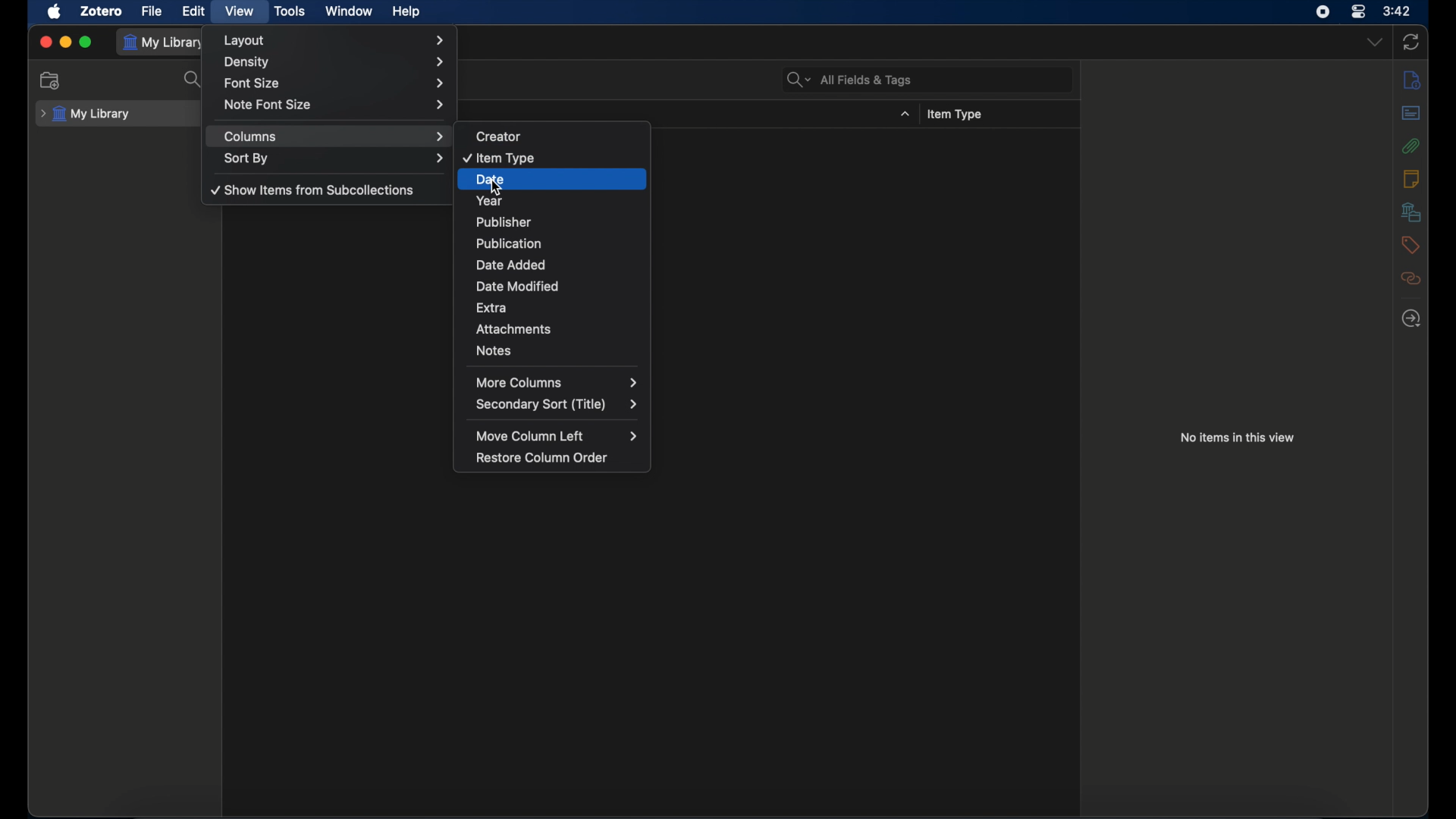 This screenshot has height=819, width=1456. What do you see at coordinates (556, 245) in the screenshot?
I see `publication` at bounding box center [556, 245].